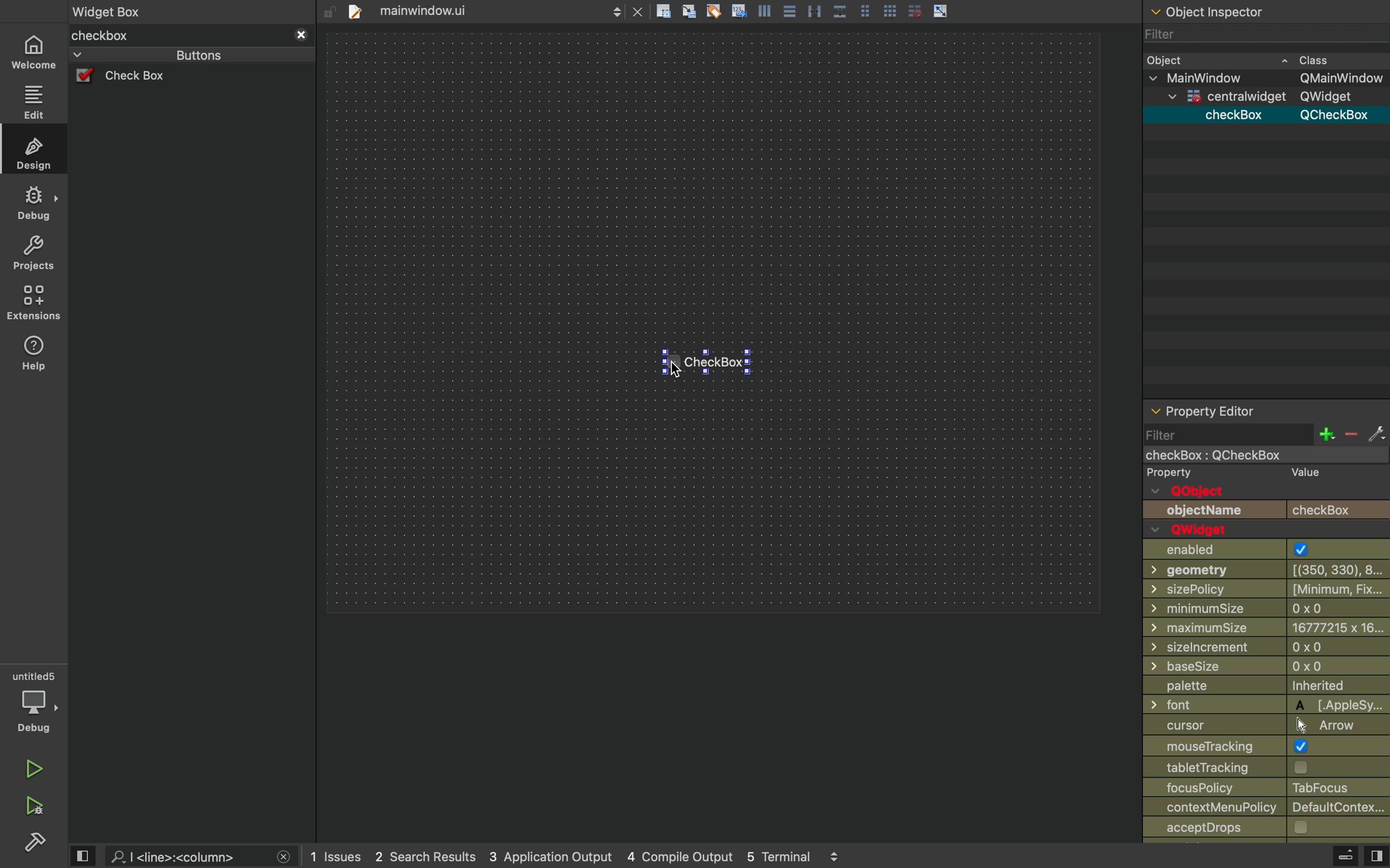 This screenshot has width=1390, height=868. I want to click on font, so click(1267, 704).